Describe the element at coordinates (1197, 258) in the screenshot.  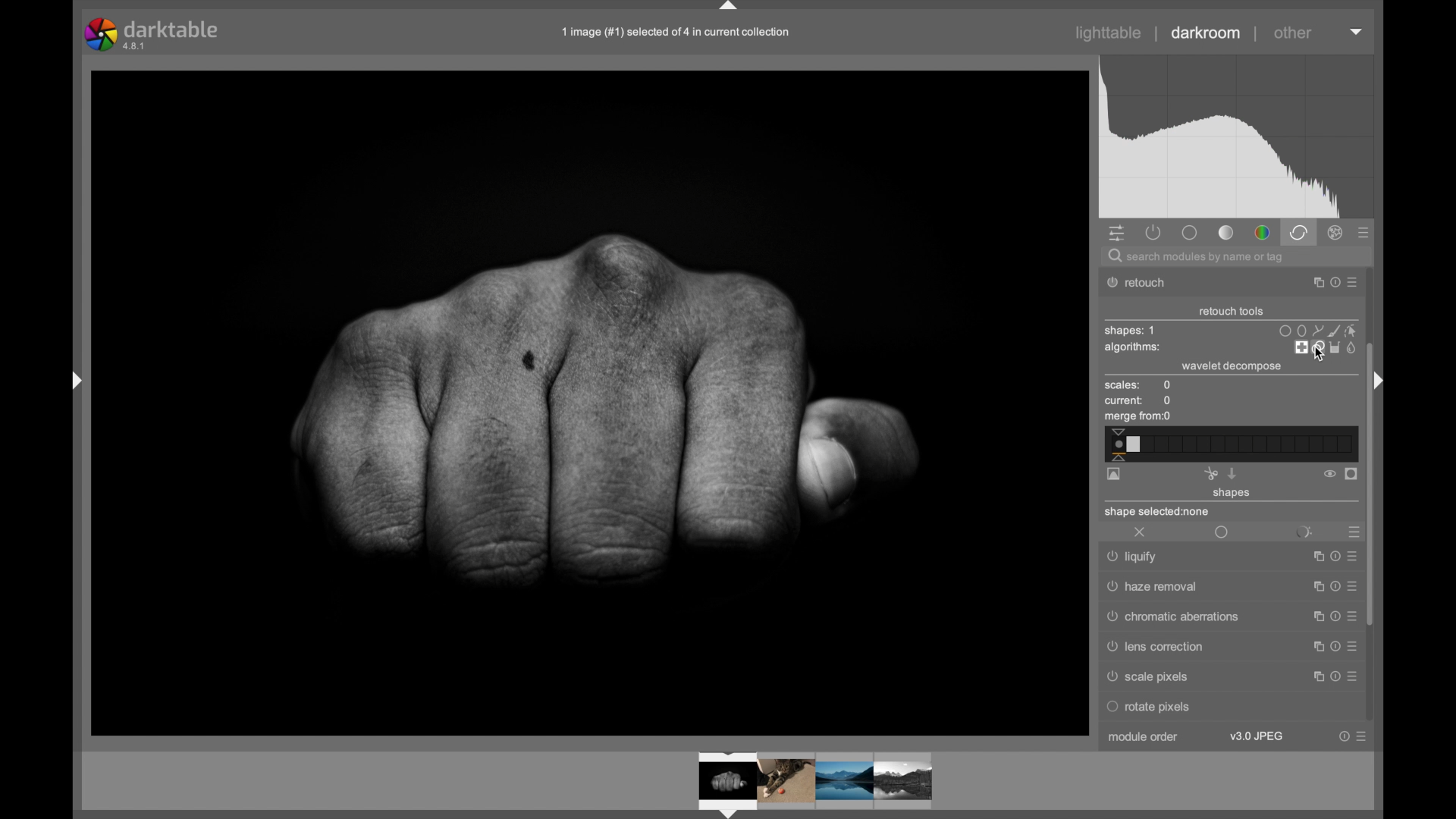
I see `search modules by name or tag` at that location.